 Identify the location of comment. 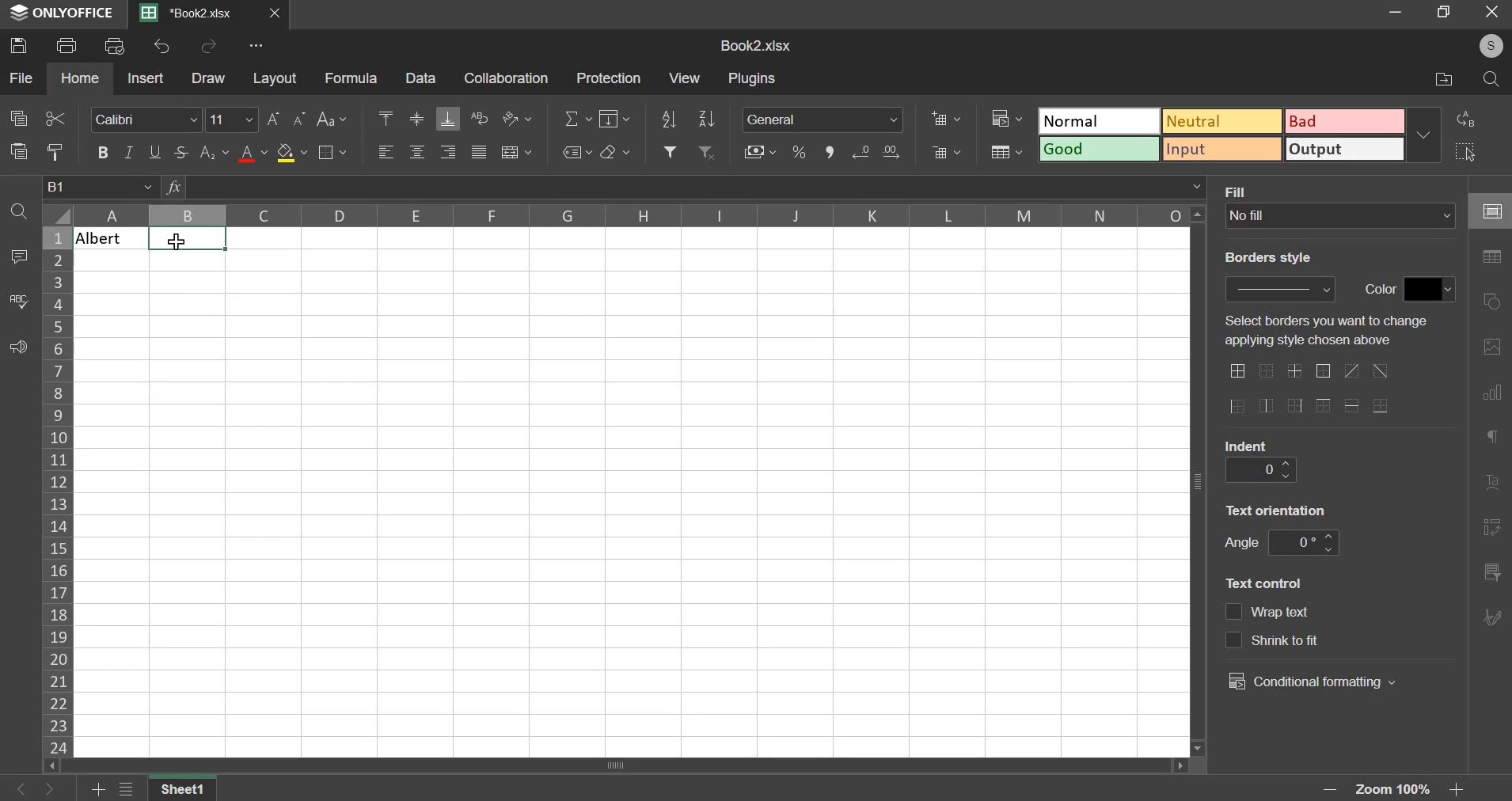
(22, 255).